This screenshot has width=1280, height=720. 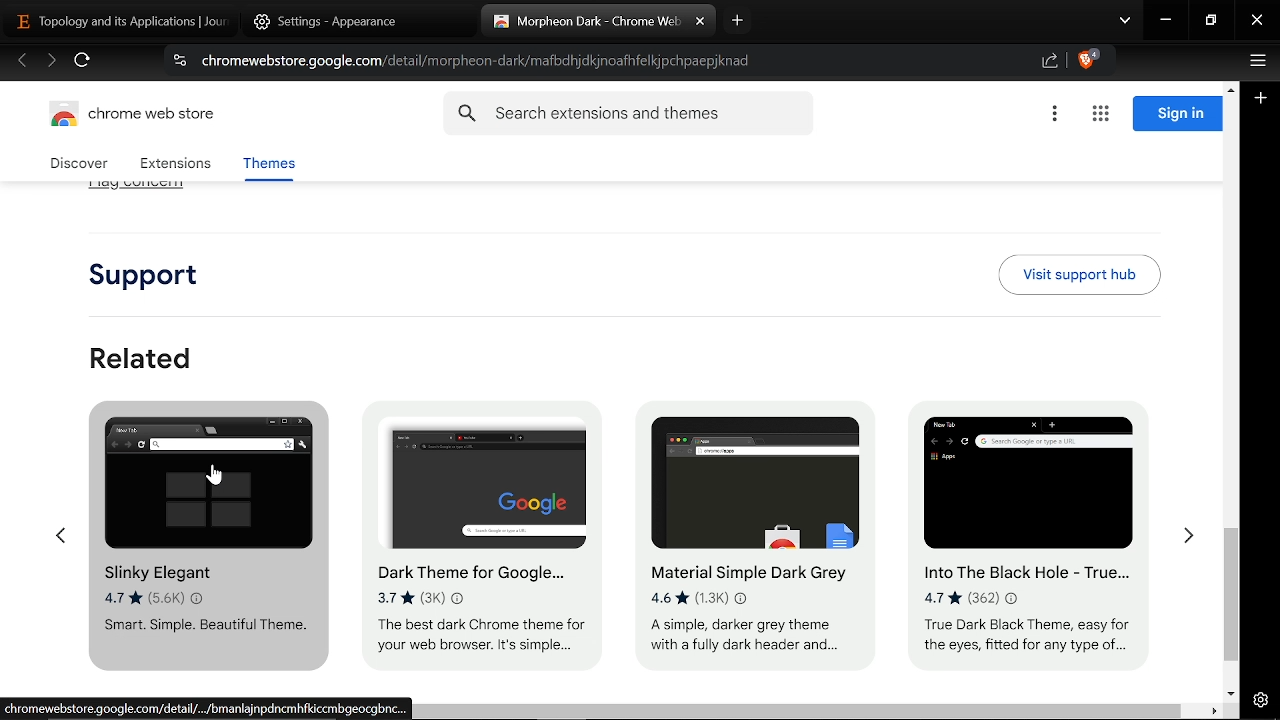 I want to click on Close current tab, so click(x=700, y=22).